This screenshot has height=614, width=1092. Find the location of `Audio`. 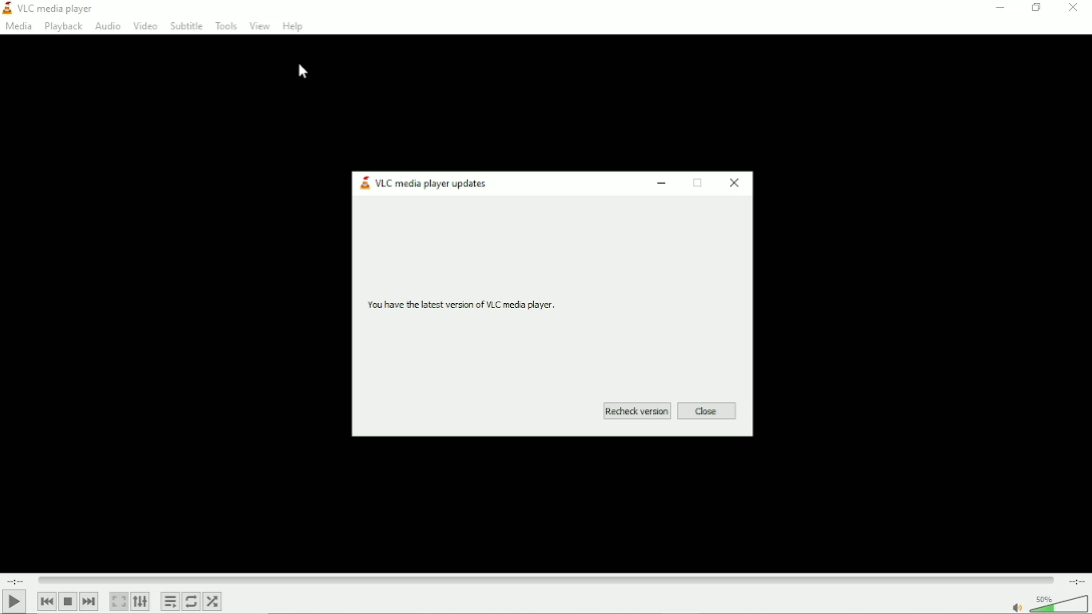

Audio is located at coordinates (107, 28).